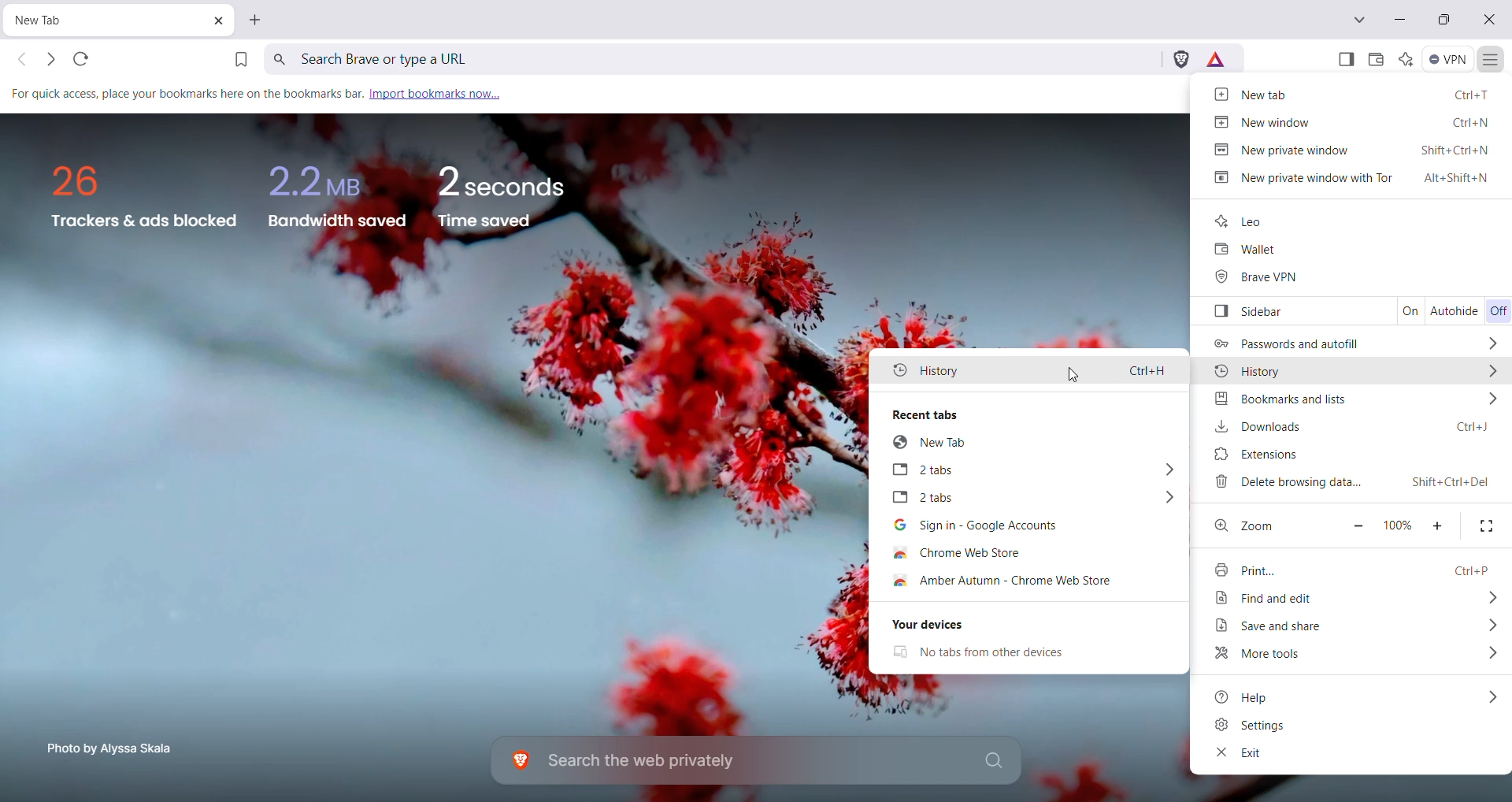 The width and height of the screenshot is (1512, 802). What do you see at coordinates (982, 553) in the screenshot?
I see `Chrome Web store` at bounding box center [982, 553].